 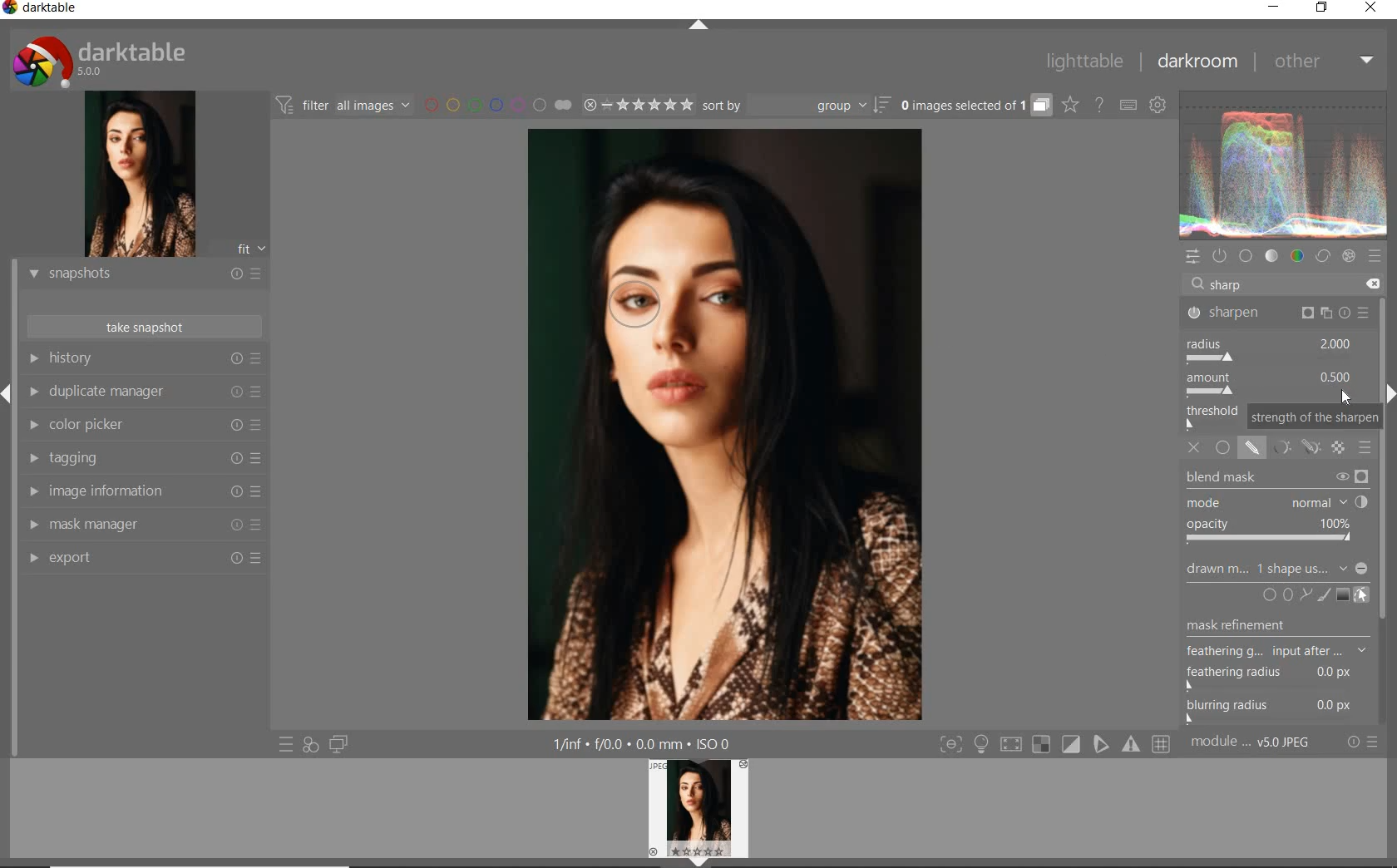 What do you see at coordinates (1084, 62) in the screenshot?
I see `lighttable` at bounding box center [1084, 62].